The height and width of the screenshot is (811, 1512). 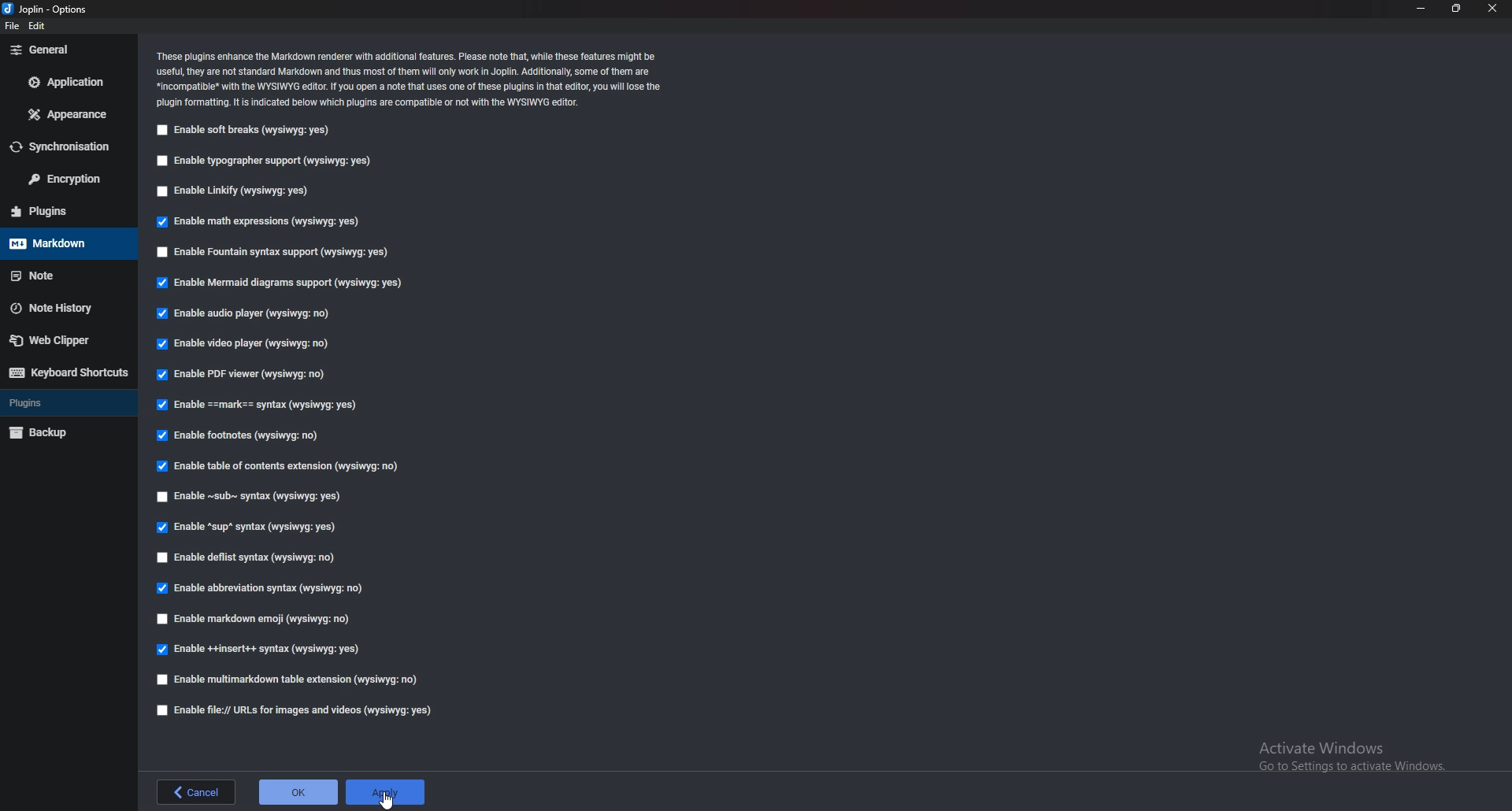 What do you see at coordinates (248, 528) in the screenshot?
I see `Enable sup syntax` at bounding box center [248, 528].